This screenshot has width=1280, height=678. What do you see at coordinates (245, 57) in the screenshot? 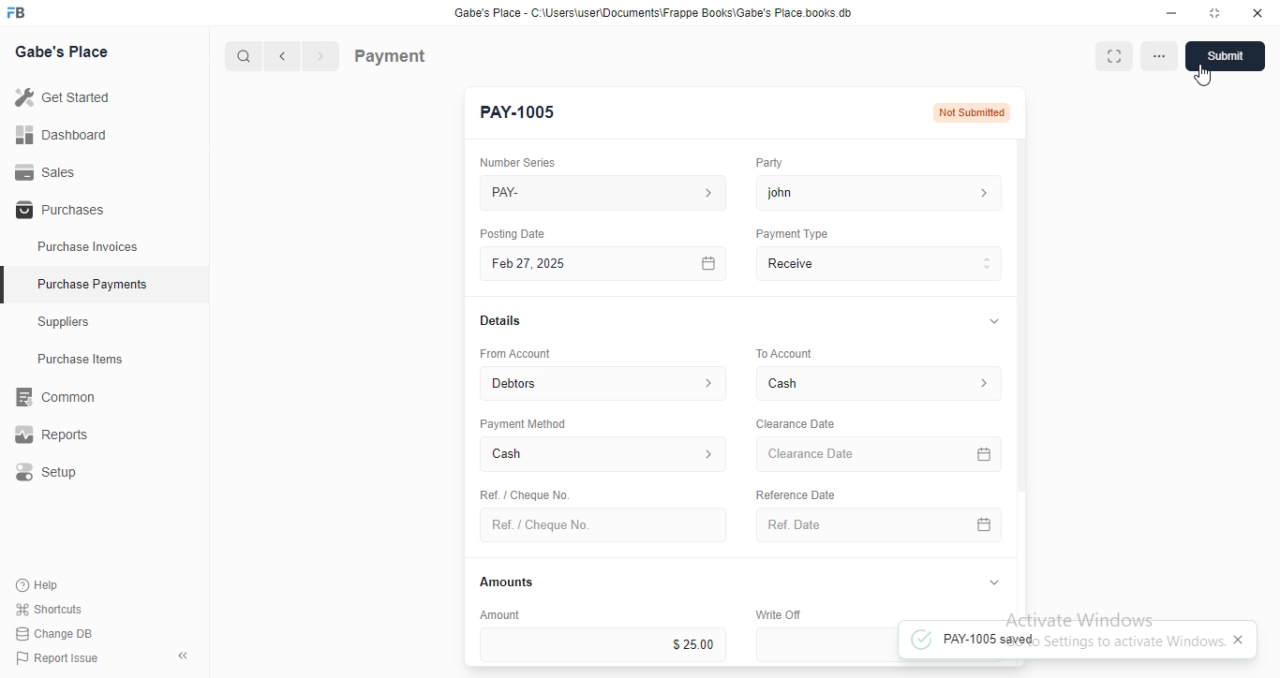
I see `search` at bounding box center [245, 57].